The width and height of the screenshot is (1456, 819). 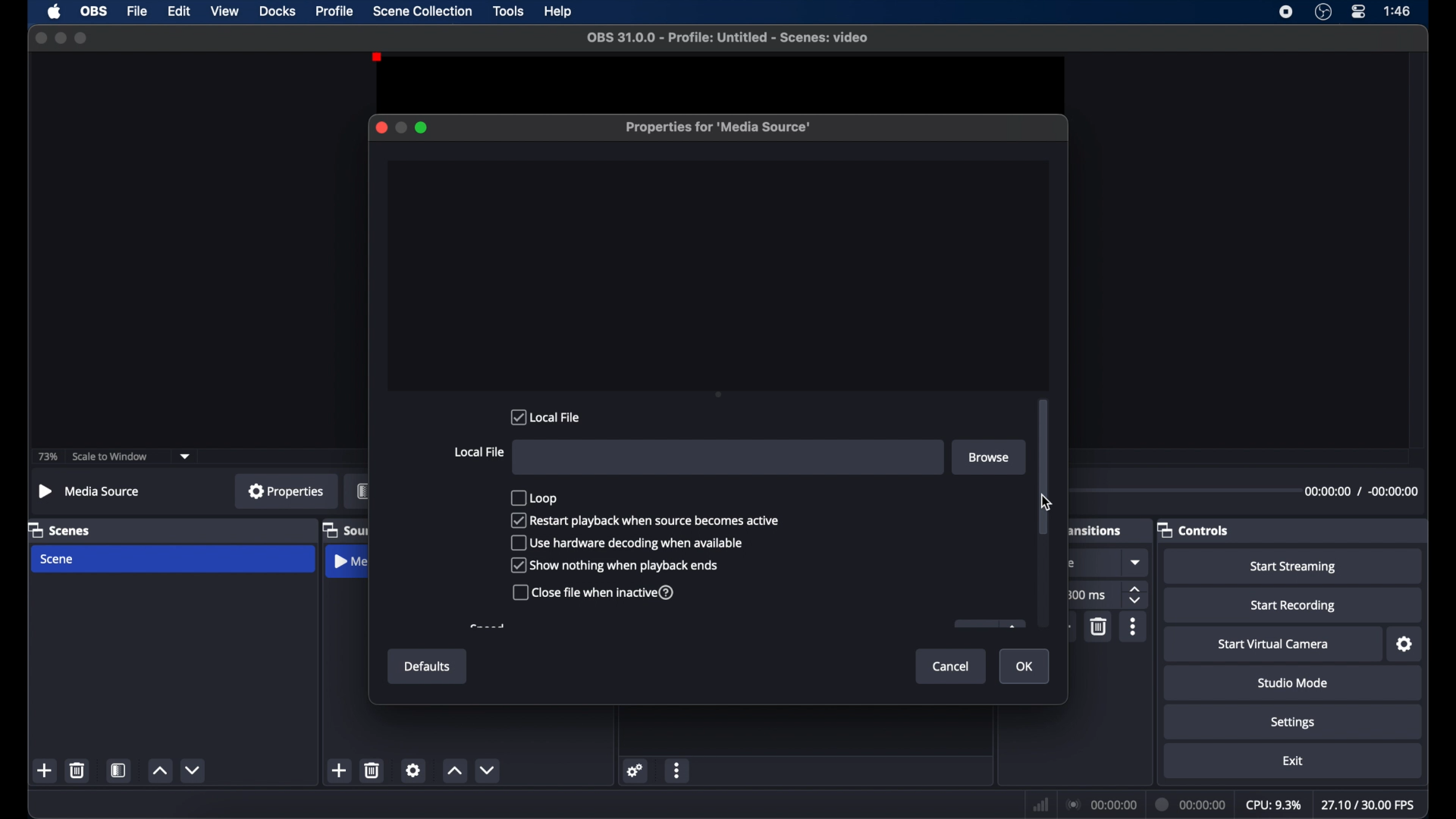 What do you see at coordinates (424, 11) in the screenshot?
I see `scene collection` at bounding box center [424, 11].